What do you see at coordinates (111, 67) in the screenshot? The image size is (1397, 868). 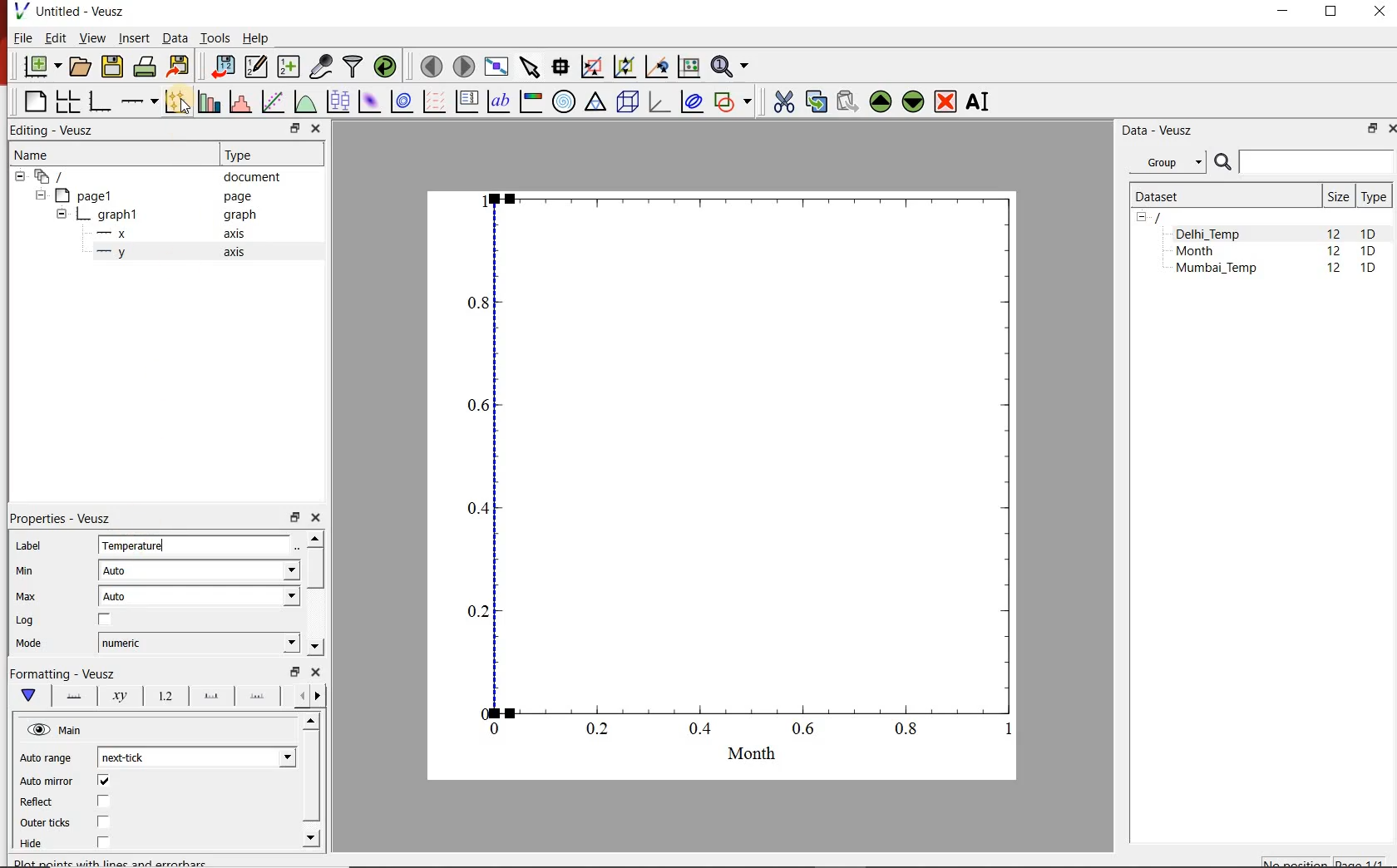 I see `save the document` at bounding box center [111, 67].